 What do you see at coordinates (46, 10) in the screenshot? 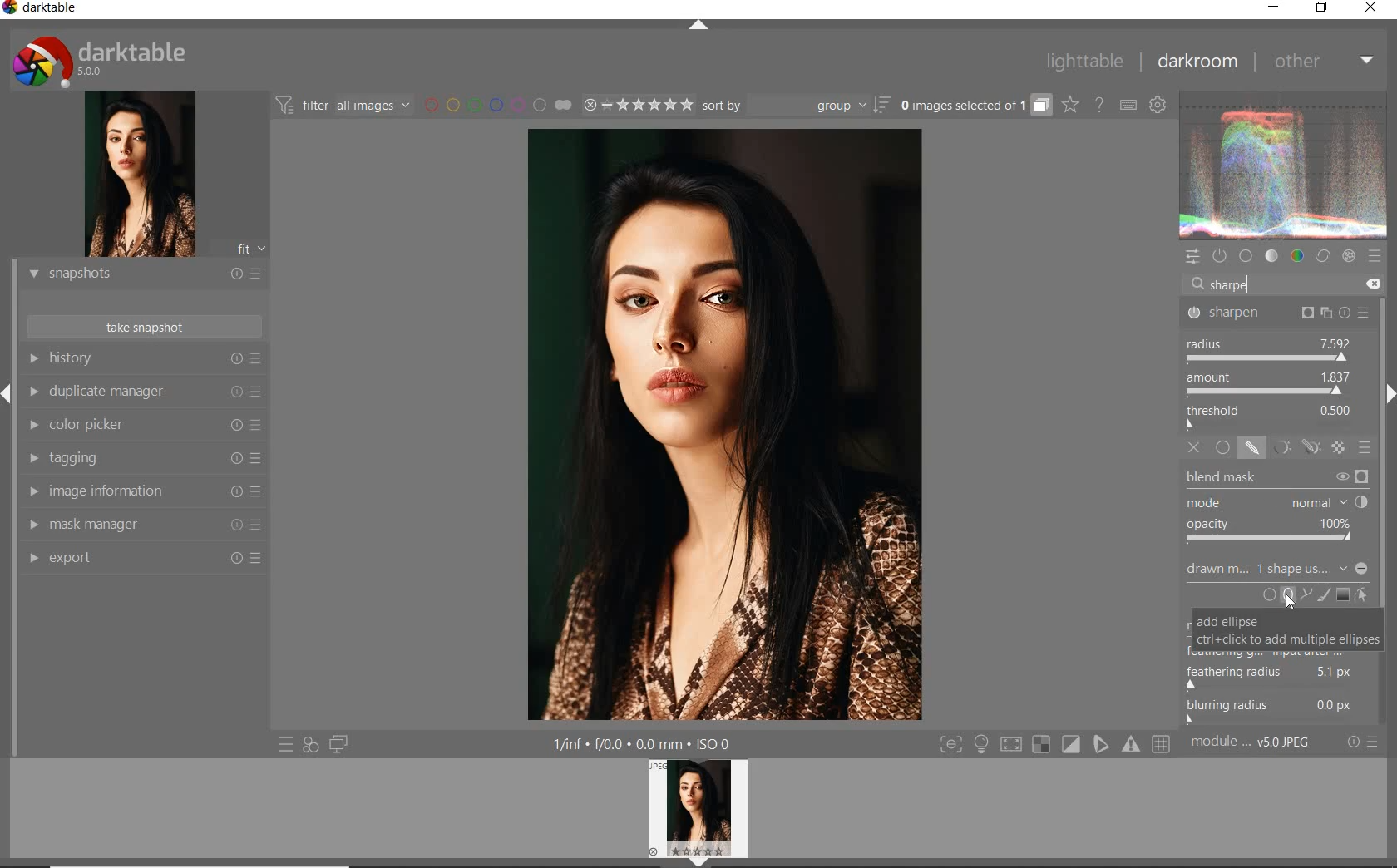
I see `SYSTEM NAME` at bounding box center [46, 10].